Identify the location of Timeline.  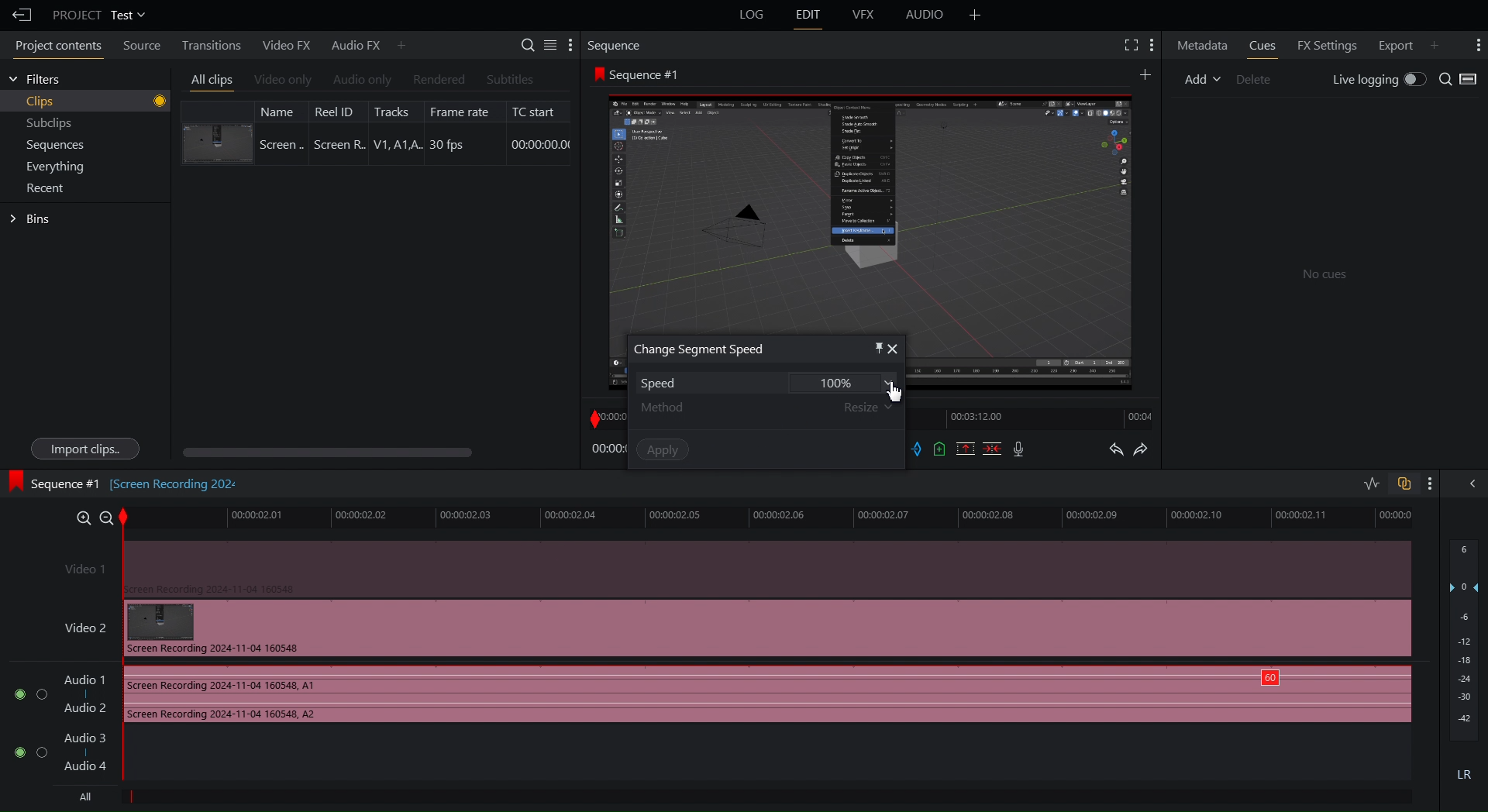
(1037, 419).